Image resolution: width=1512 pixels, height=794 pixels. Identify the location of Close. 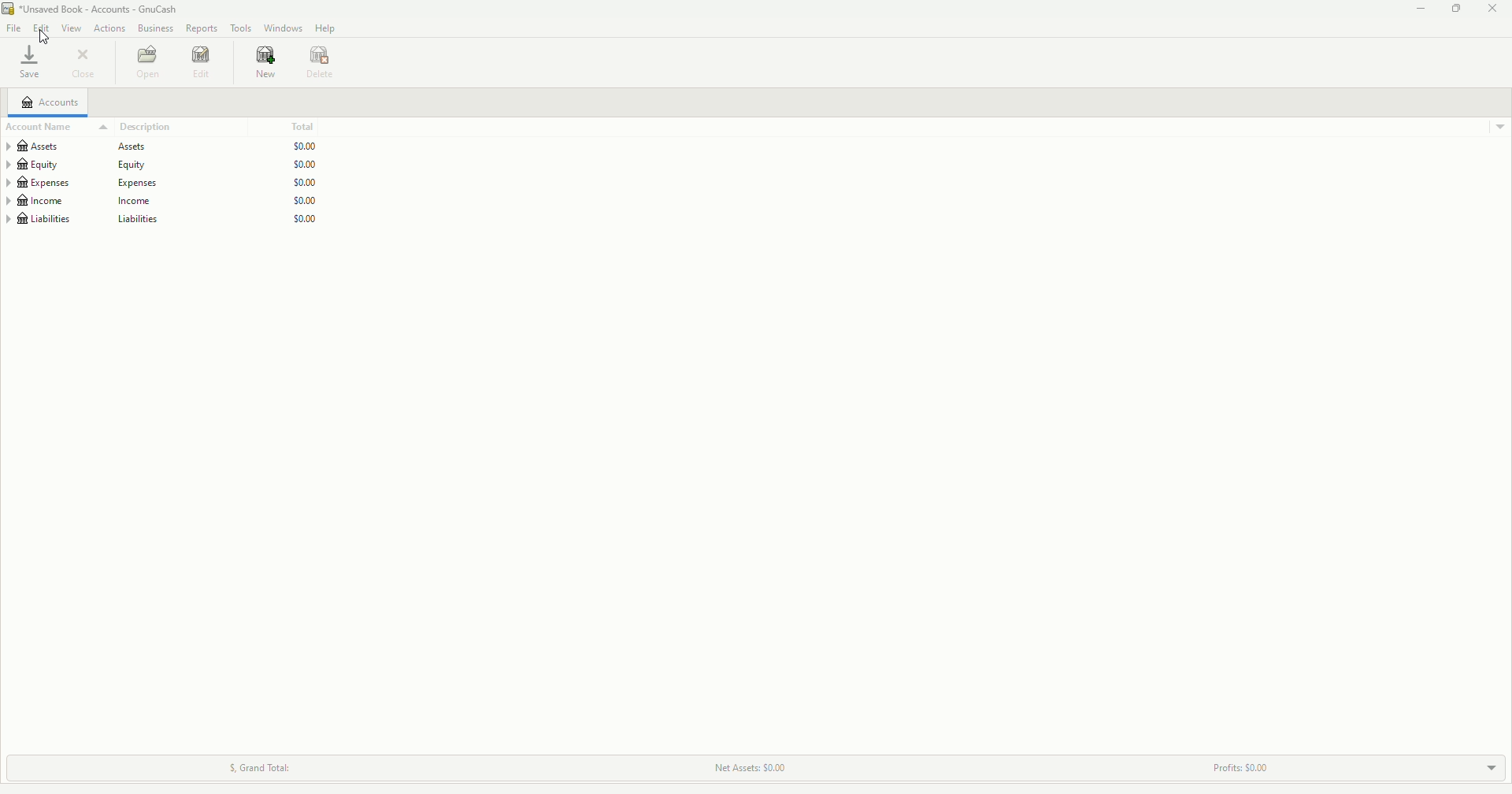
(82, 65).